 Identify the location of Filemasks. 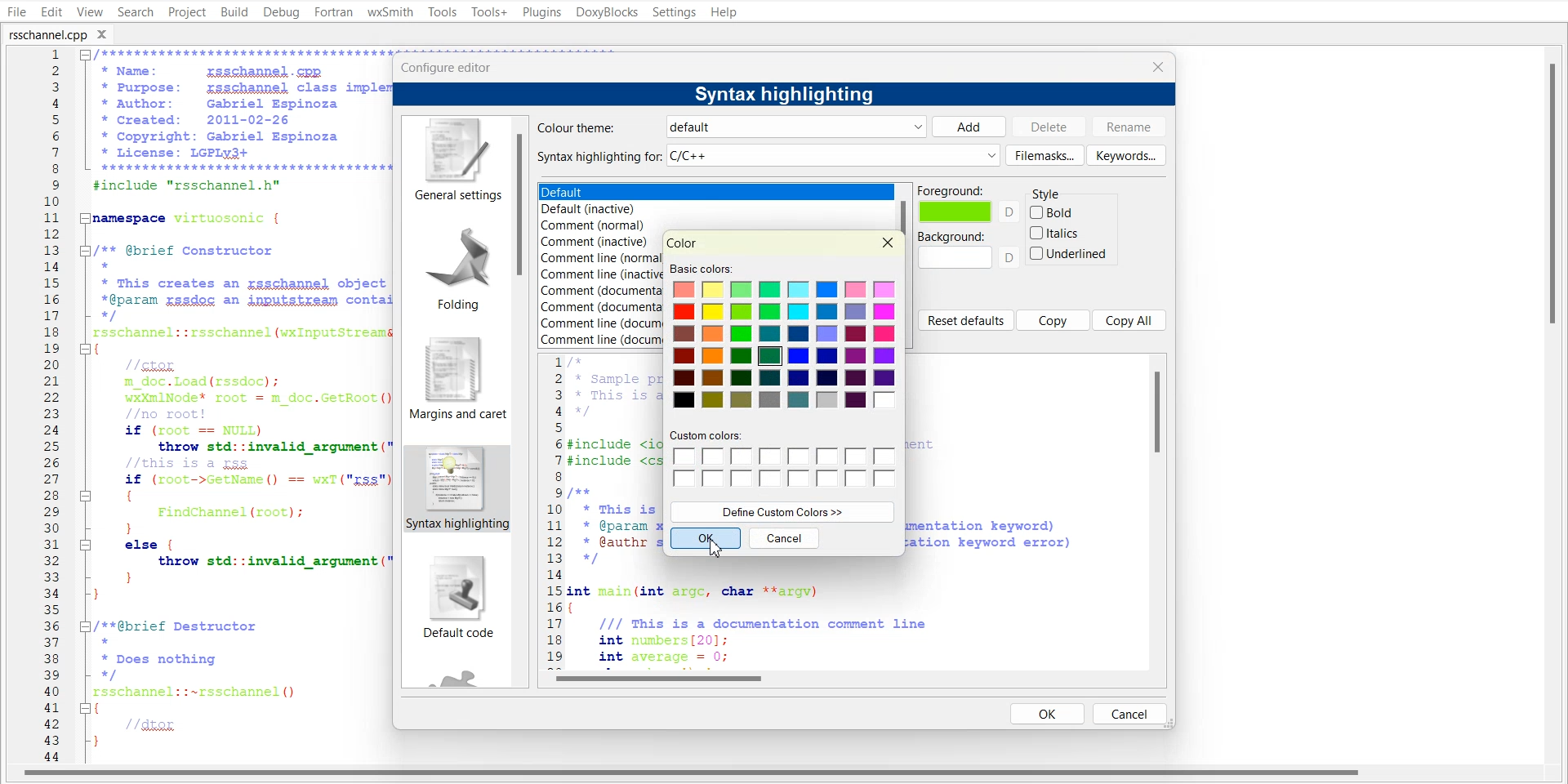
(1045, 155).